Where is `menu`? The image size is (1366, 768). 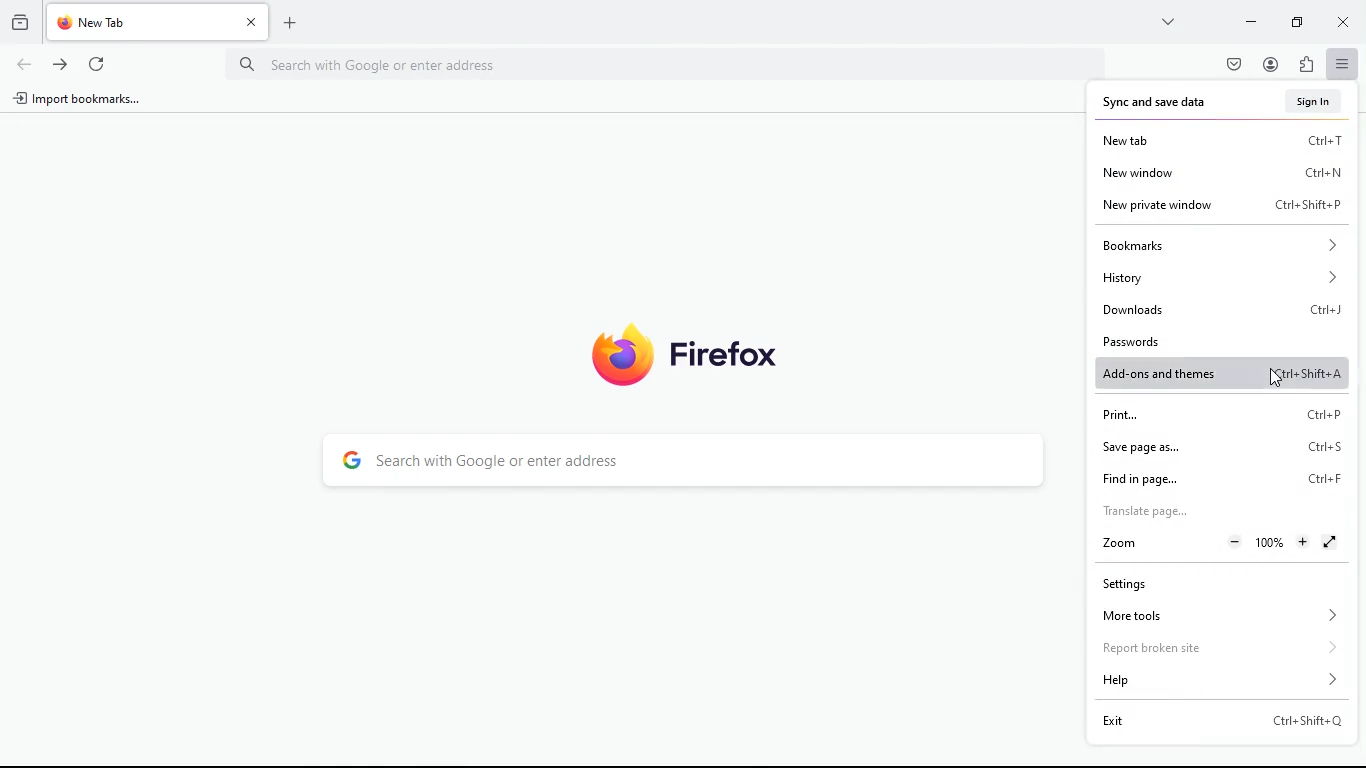
menu is located at coordinates (1341, 64).